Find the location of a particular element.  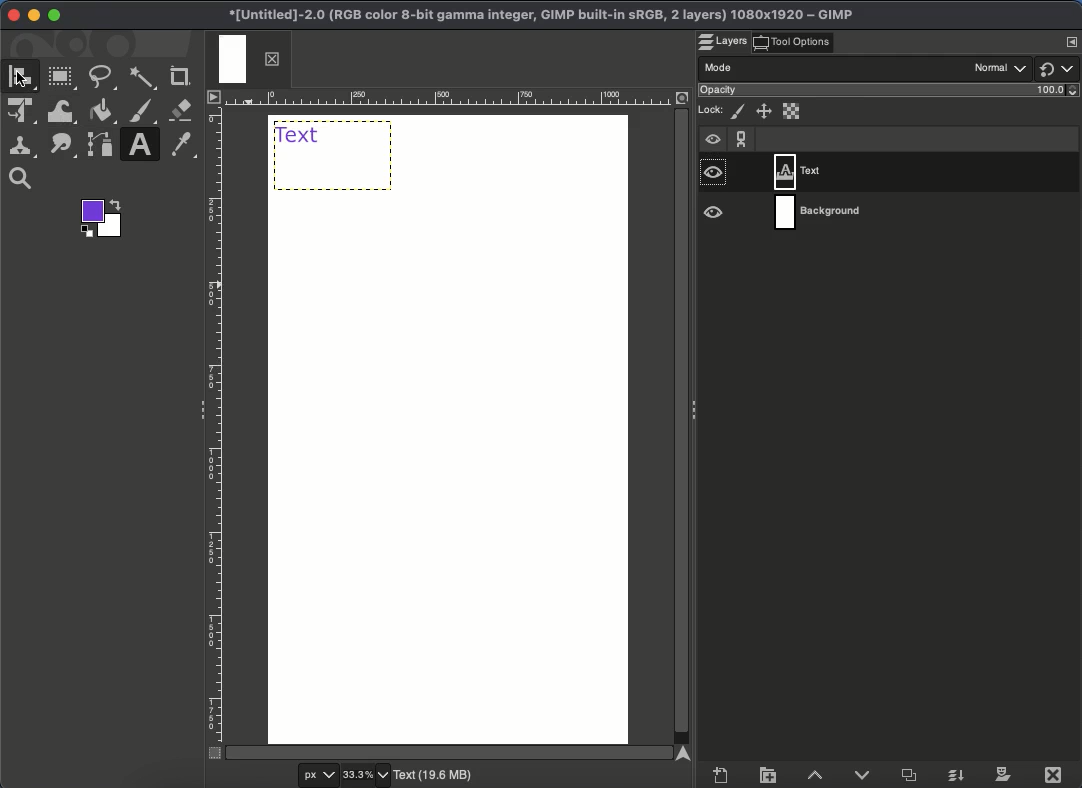

Chain is located at coordinates (742, 138).